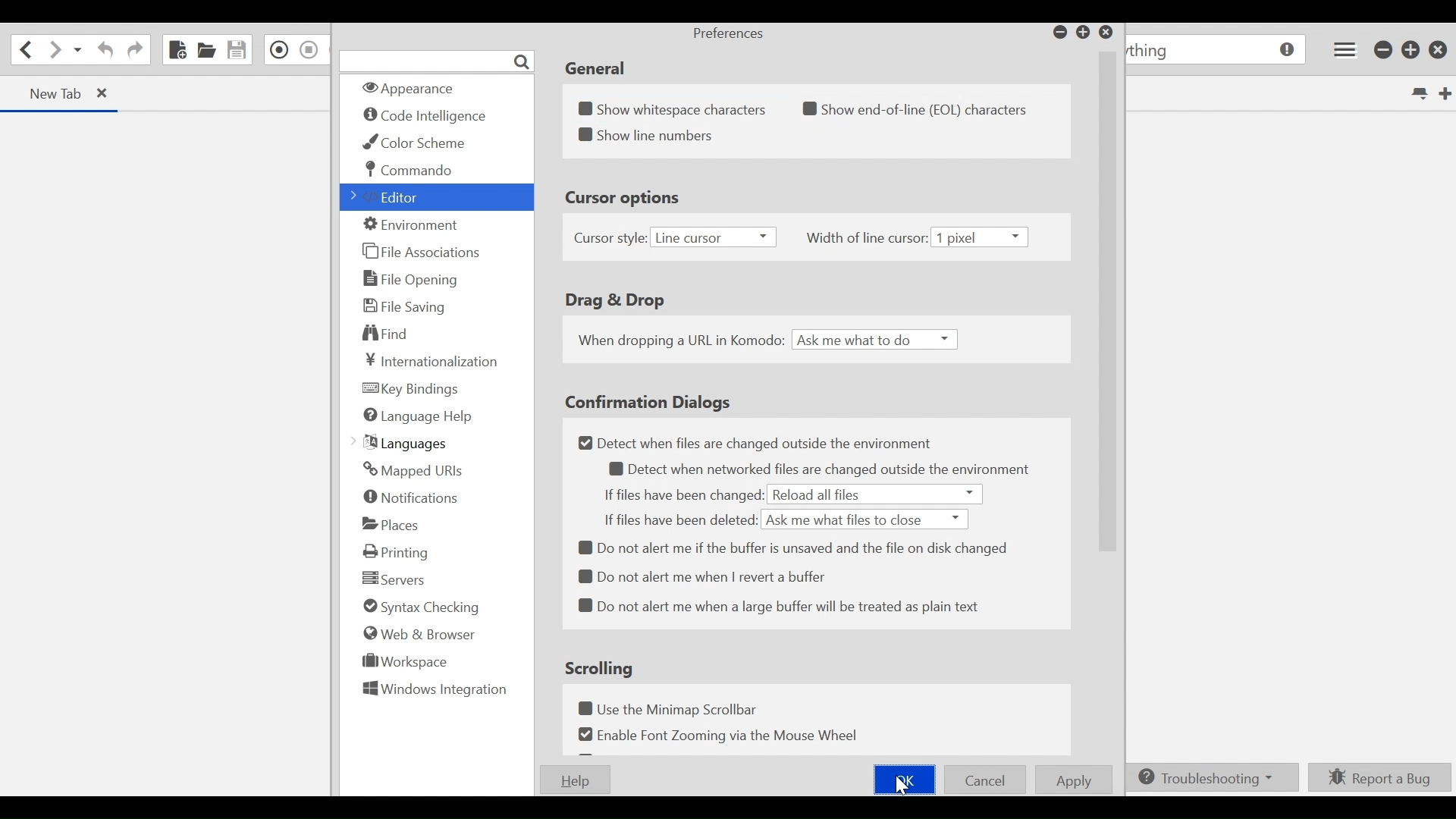 The image size is (1456, 819). Describe the element at coordinates (1058, 31) in the screenshot. I see `minimize` at that location.